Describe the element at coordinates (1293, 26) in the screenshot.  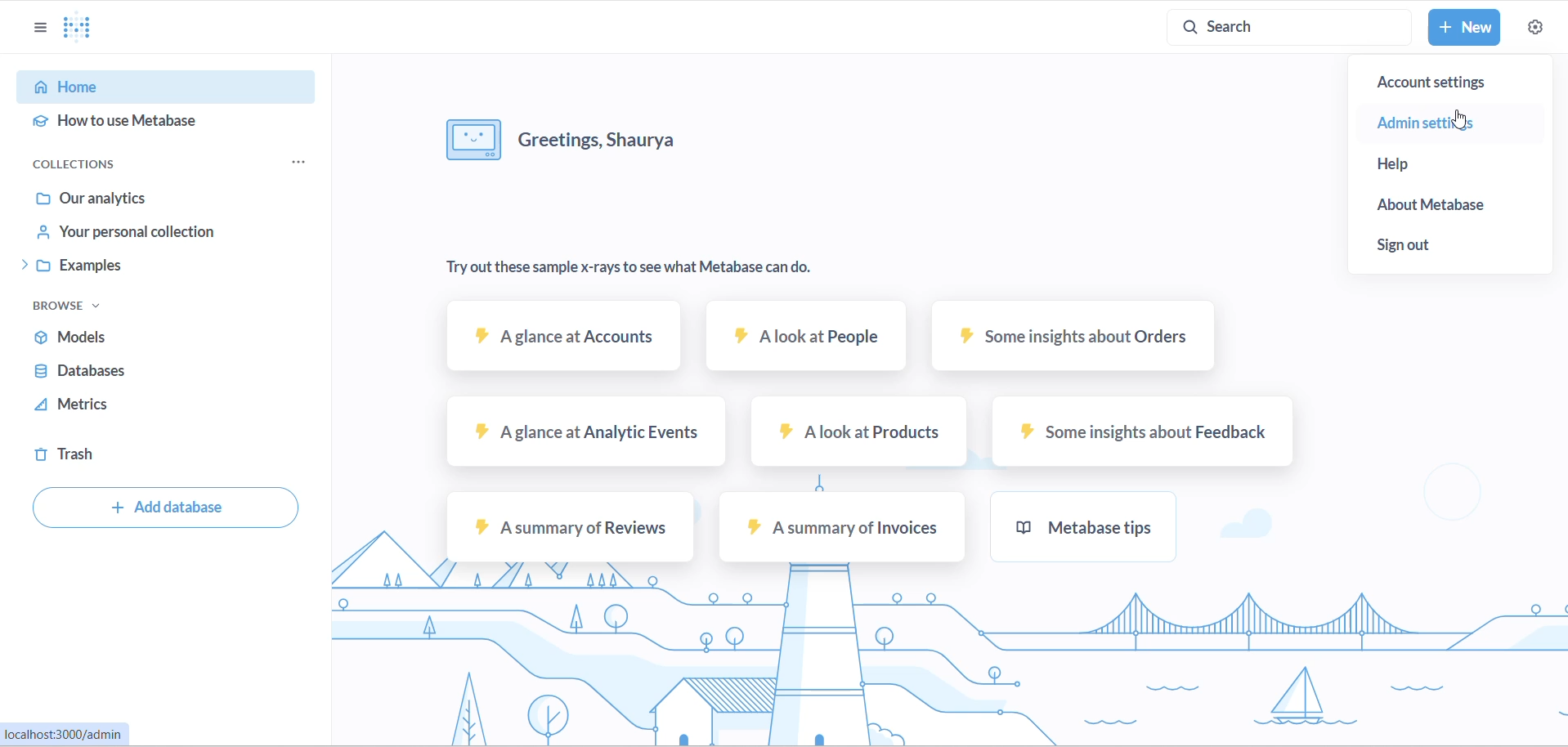
I see `search button` at that location.